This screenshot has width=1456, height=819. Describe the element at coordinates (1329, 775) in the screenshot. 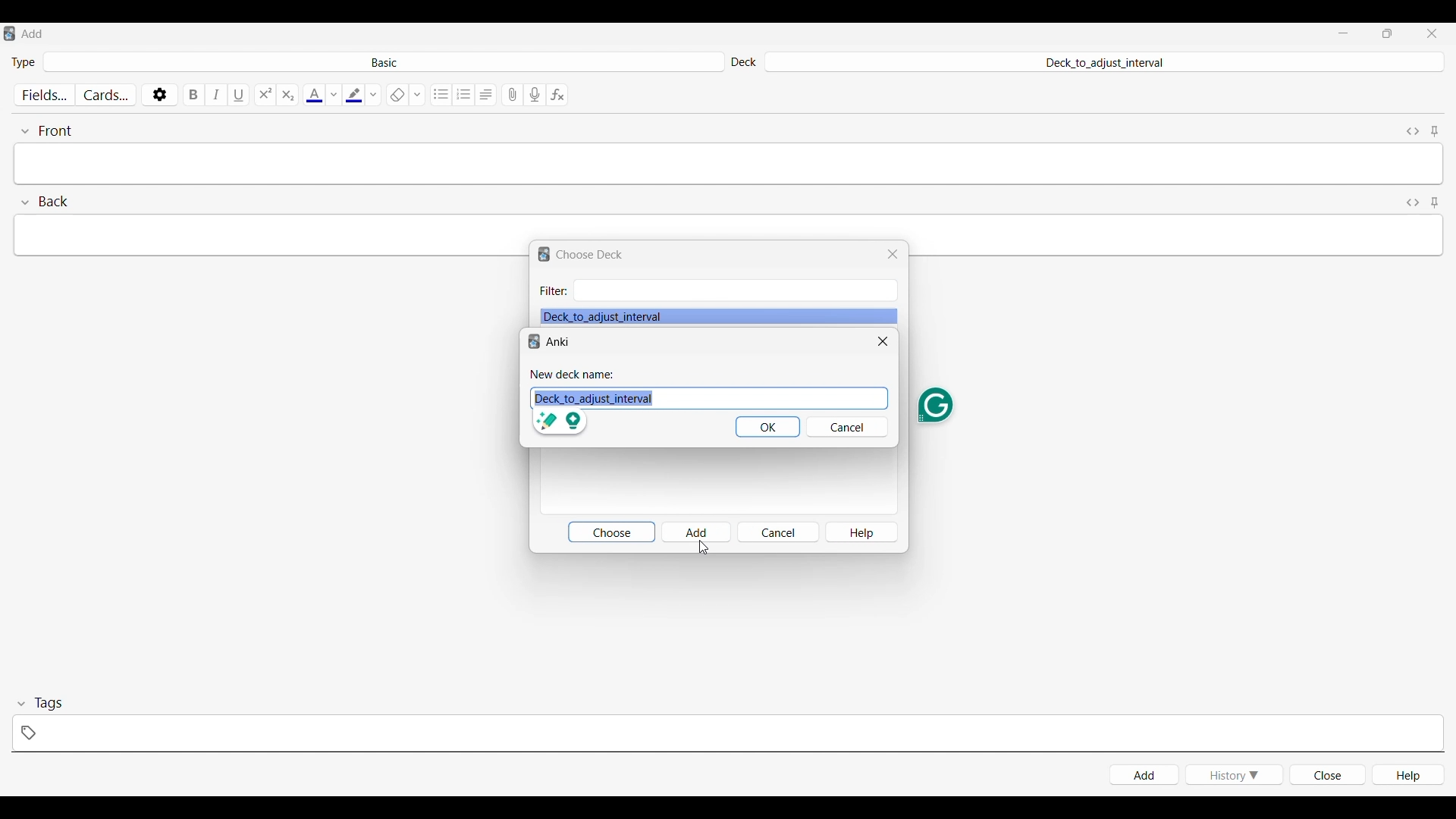

I see `` at that location.